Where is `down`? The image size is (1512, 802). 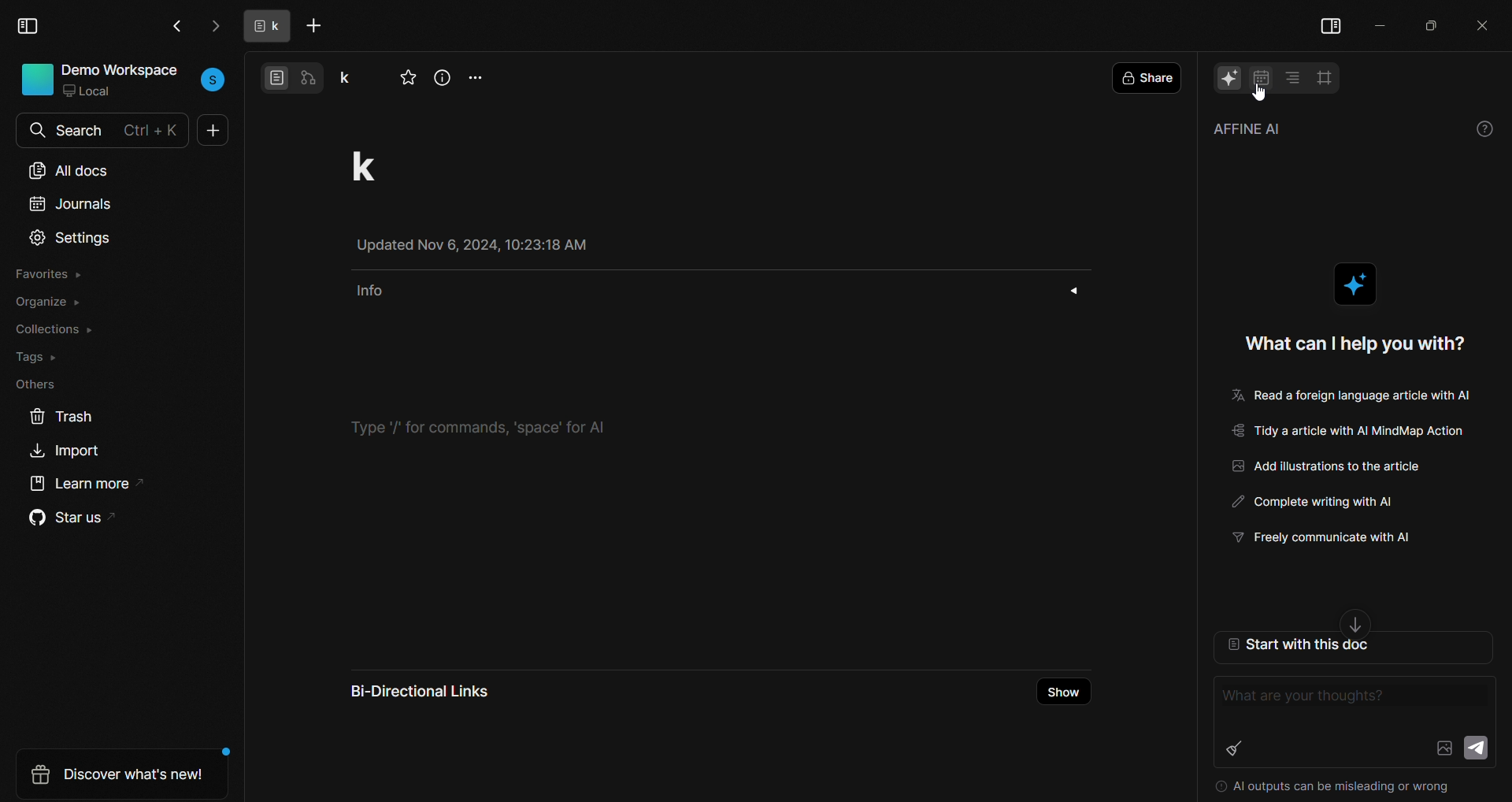 down is located at coordinates (1358, 622).